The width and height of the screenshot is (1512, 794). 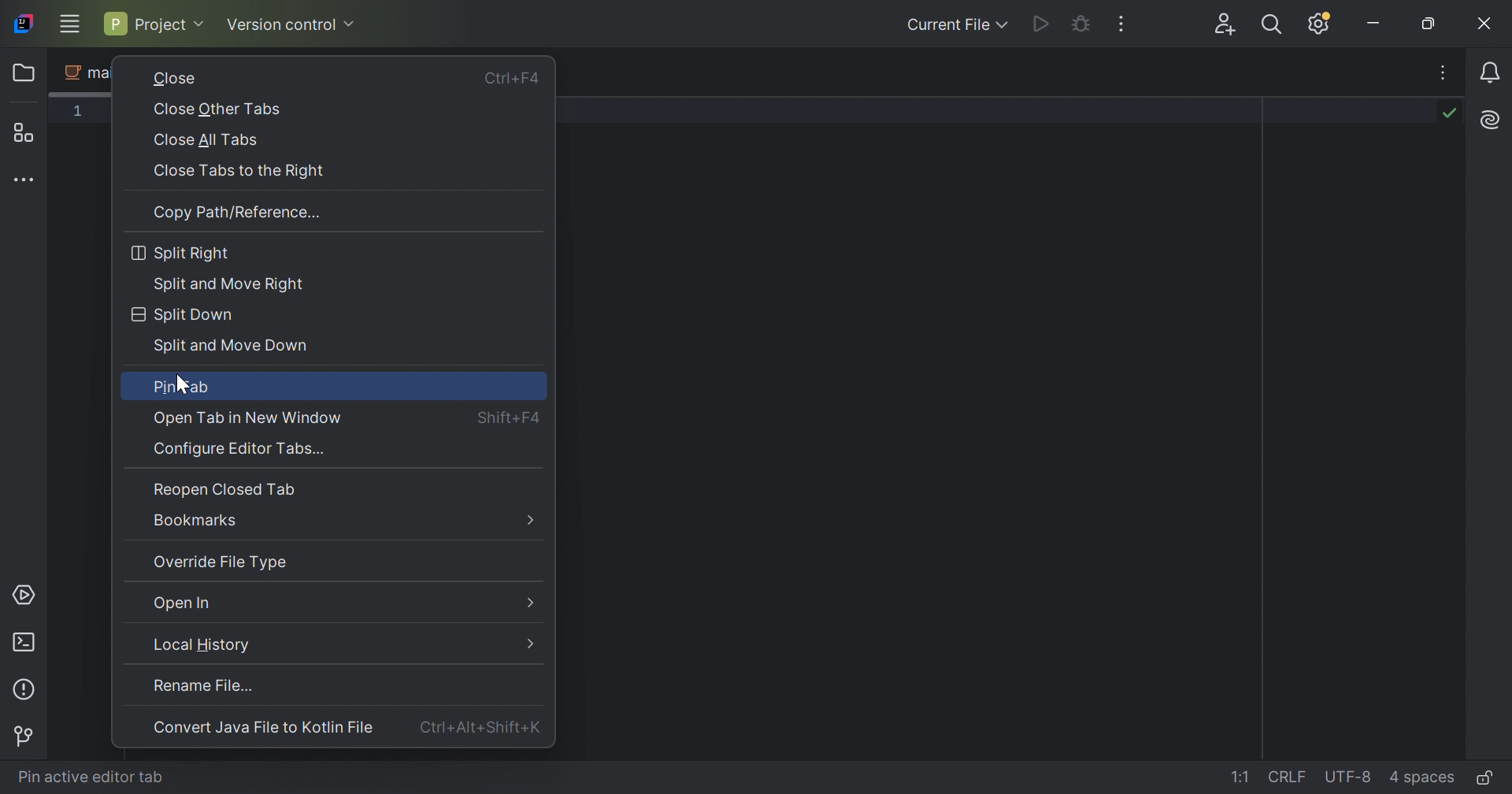 What do you see at coordinates (24, 24) in the screenshot?
I see `IntelliJ IDEA icon` at bounding box center [24, 24].